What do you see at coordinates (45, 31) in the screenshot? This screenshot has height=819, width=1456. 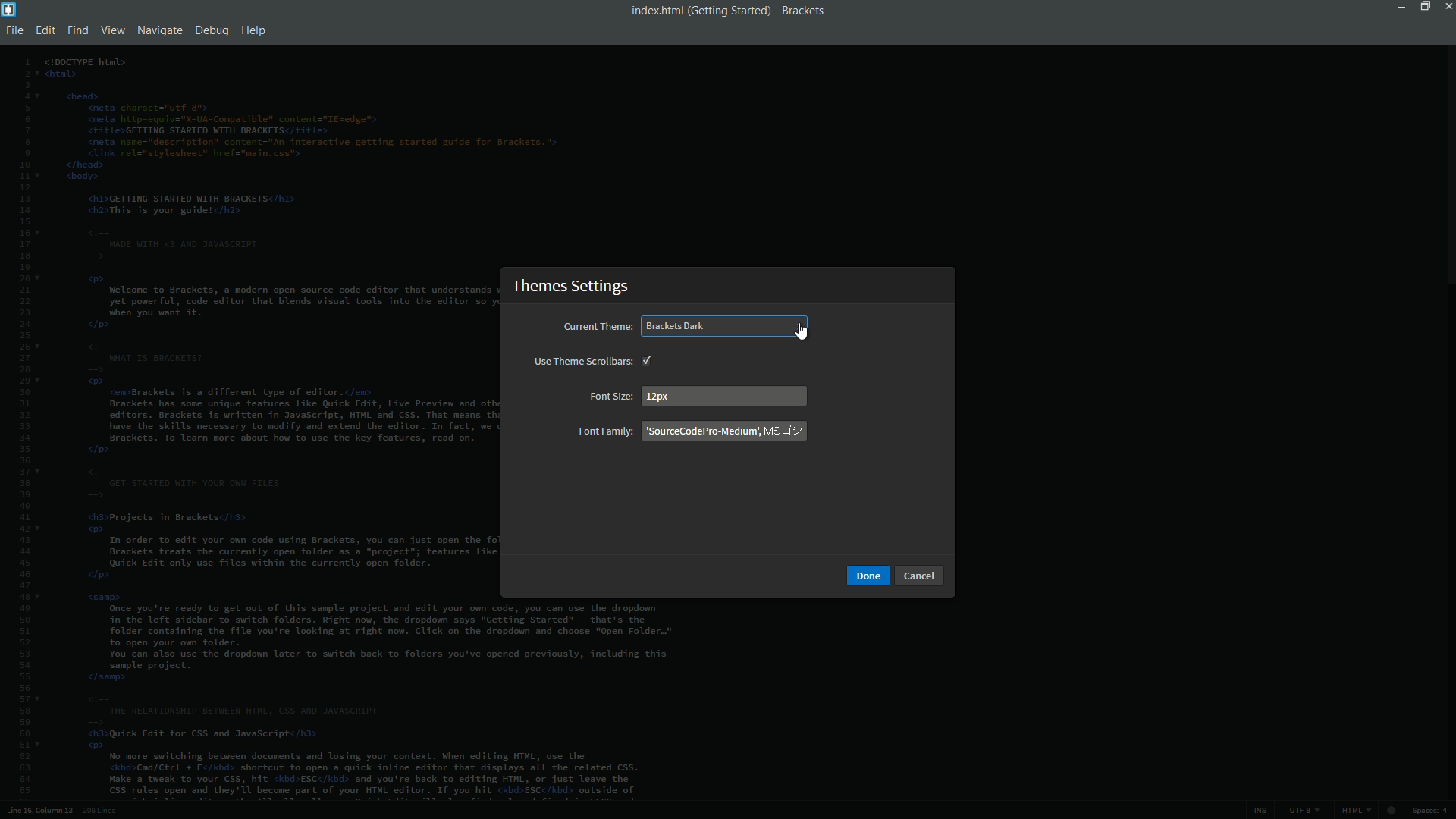 I see `edit menu` at bounding box center [45, 31].